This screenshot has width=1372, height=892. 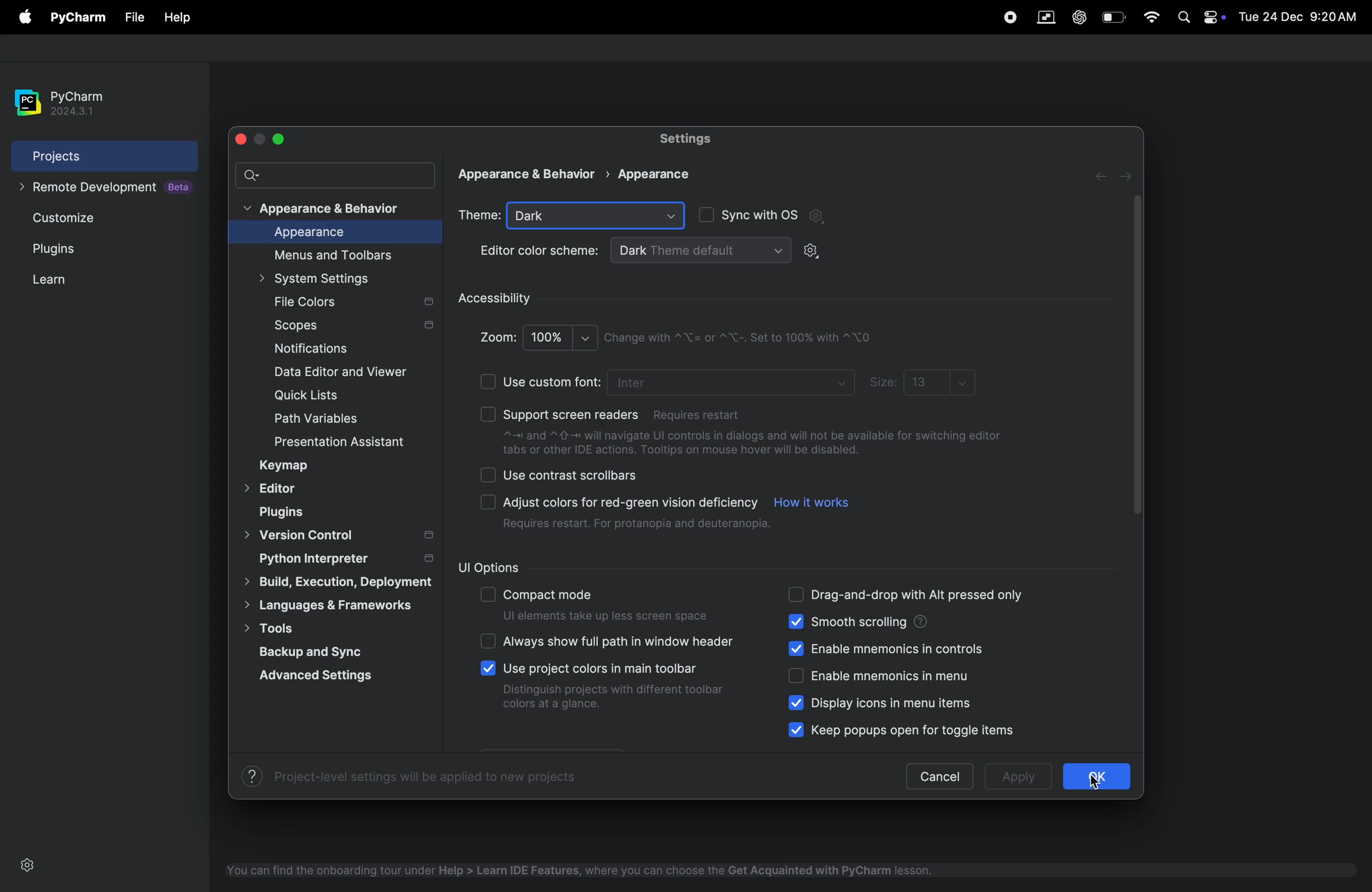 I want to click on checkbox, so click(x=797, y=676).